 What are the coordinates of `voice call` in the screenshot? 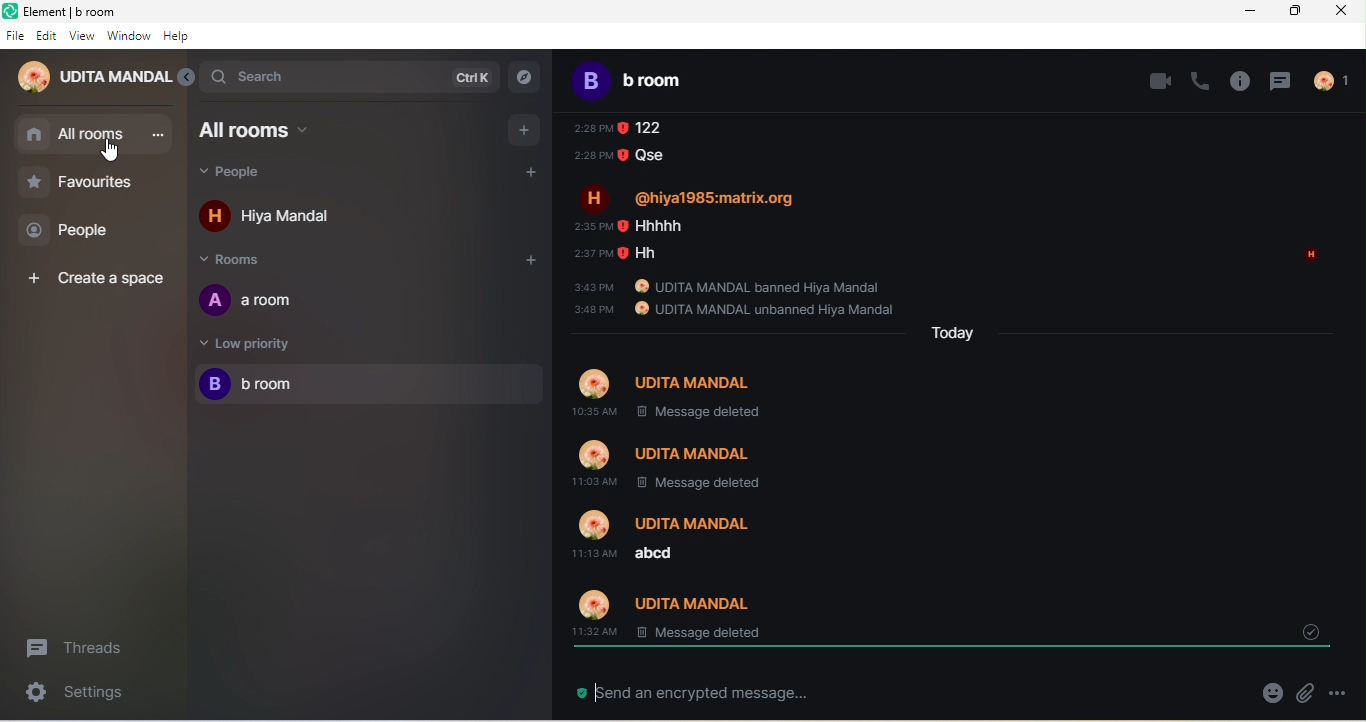 It's located at (1195, 79).